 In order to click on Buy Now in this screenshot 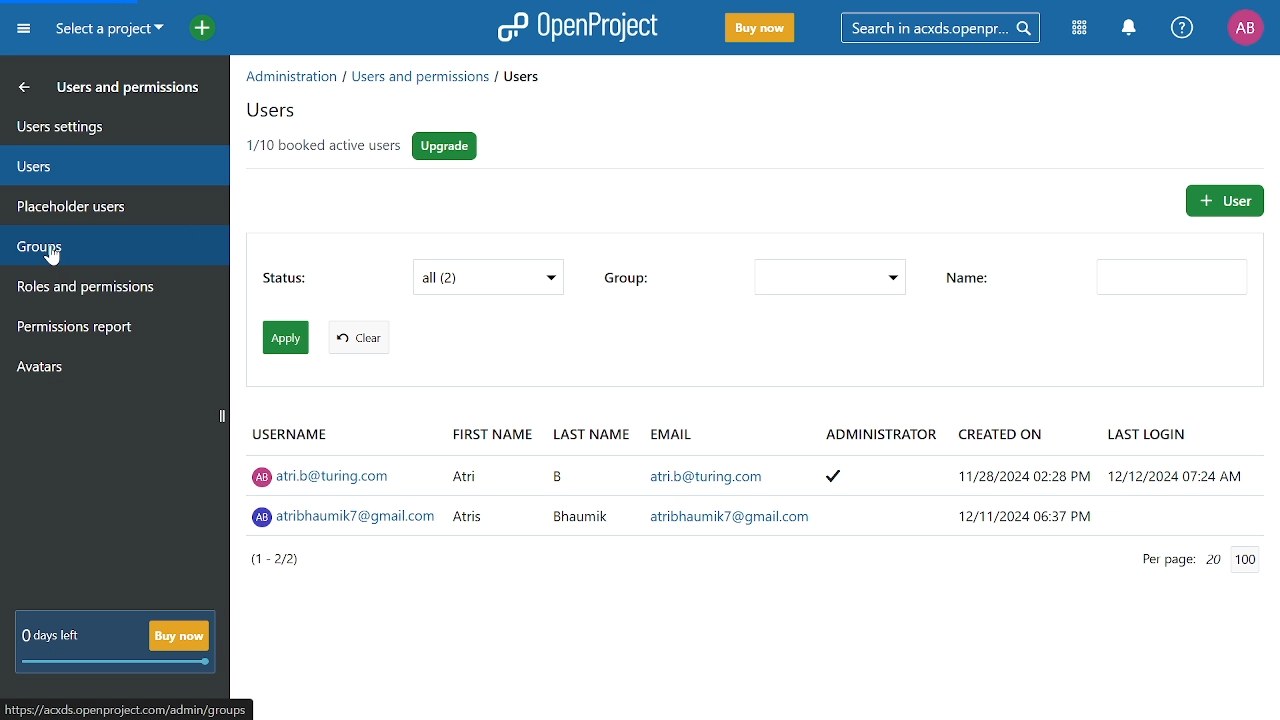, I will do `click(760, 29)`.